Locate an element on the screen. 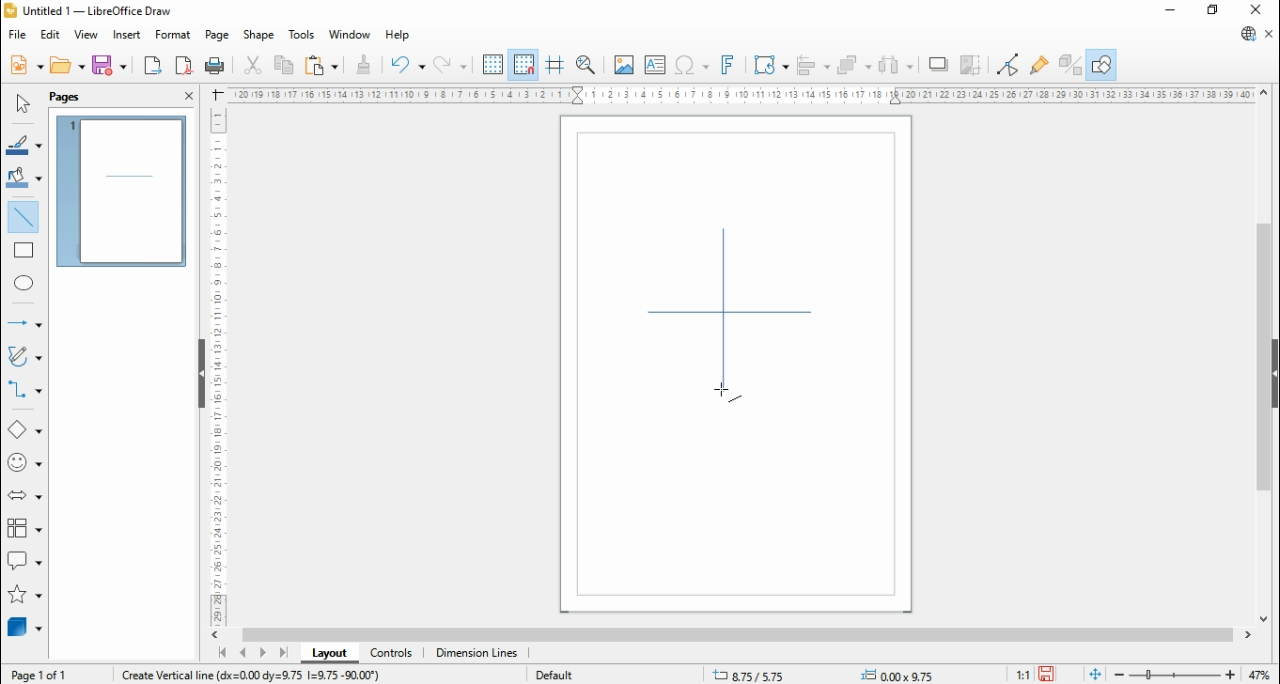  show glue point functions is located at coordinates (1038, 64).